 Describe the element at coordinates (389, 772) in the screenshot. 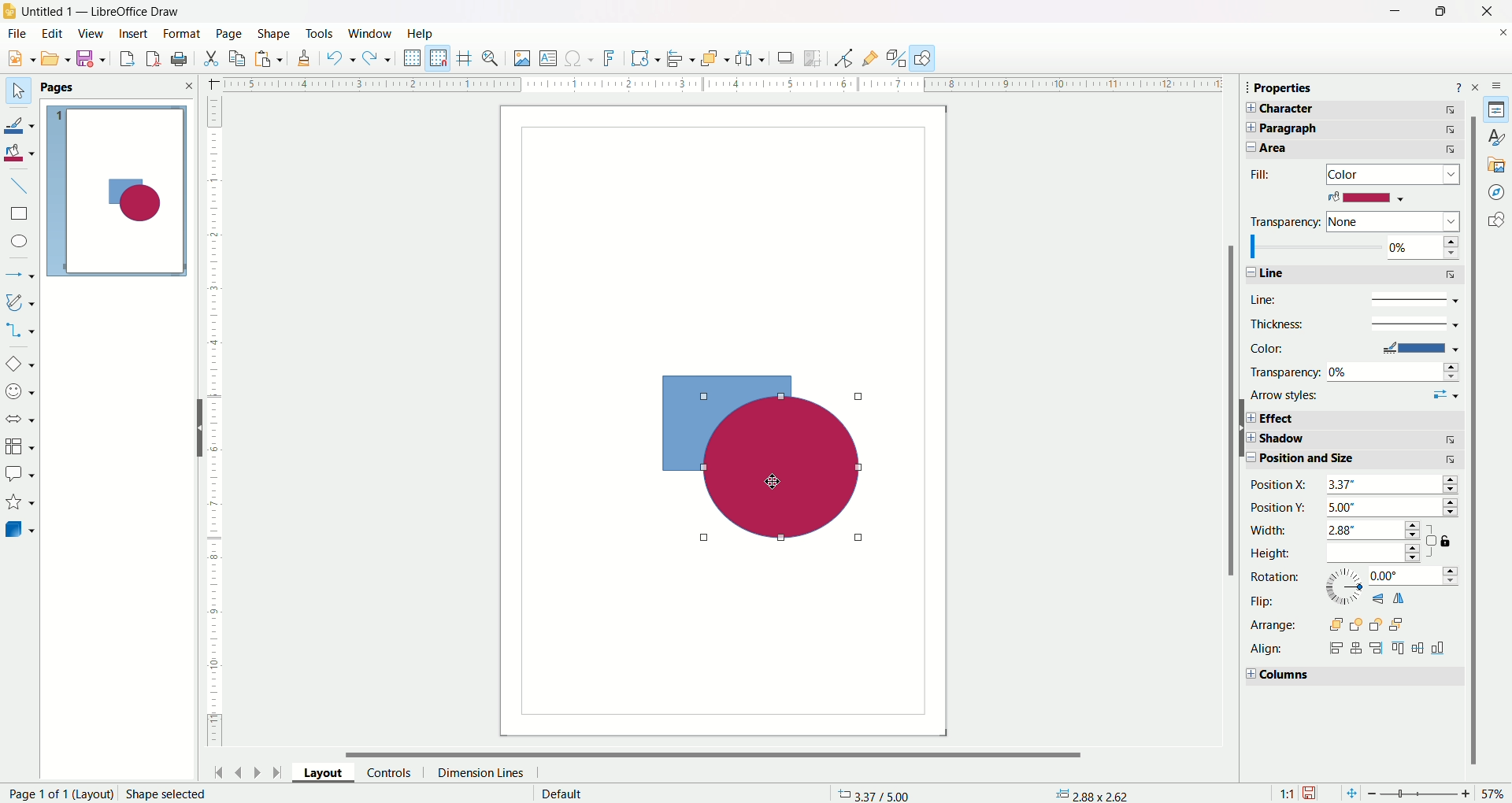

I see `controls` at that location.